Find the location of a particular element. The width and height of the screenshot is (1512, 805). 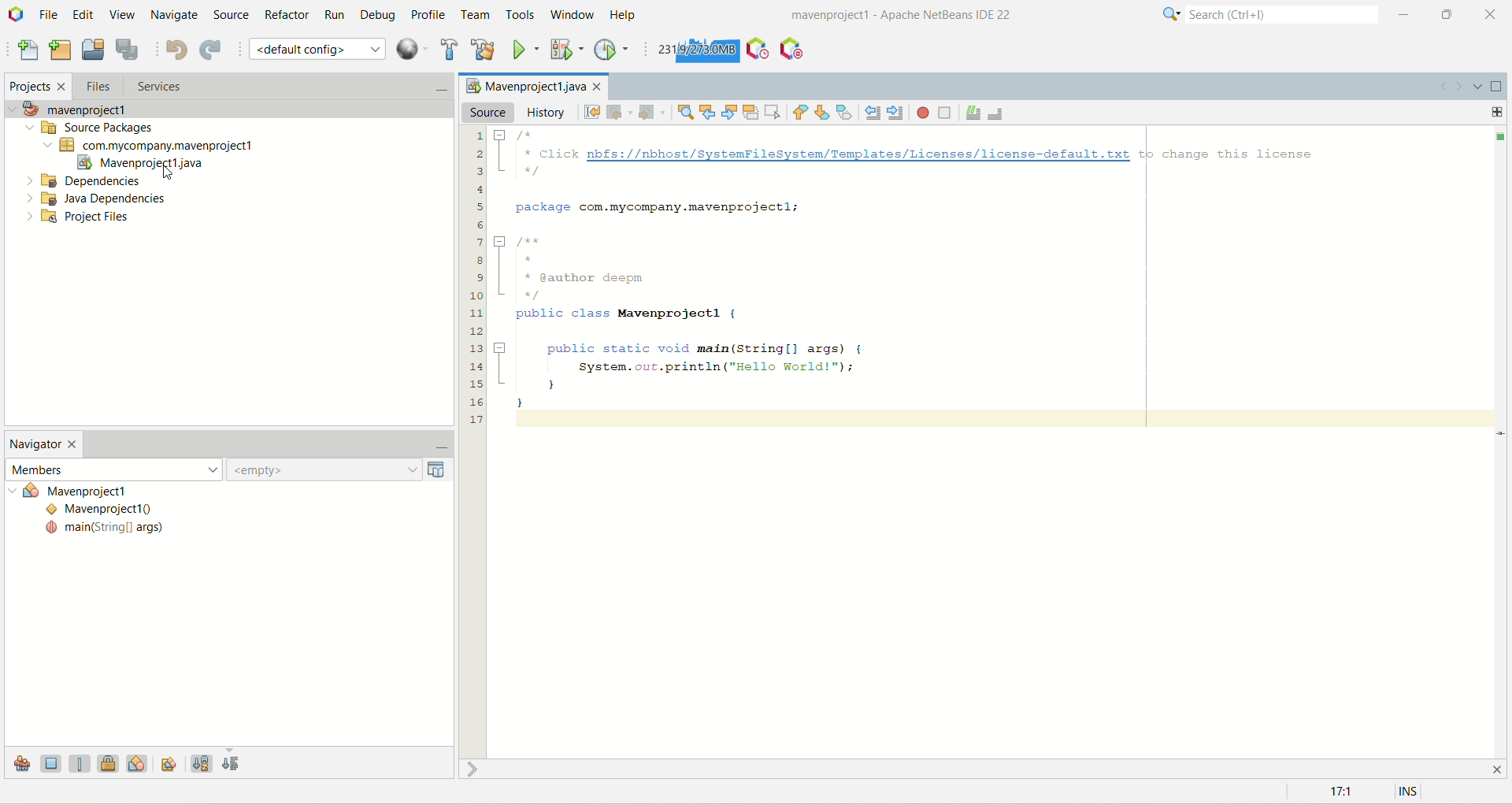

start macro recording is located at coordinates (924, 113).